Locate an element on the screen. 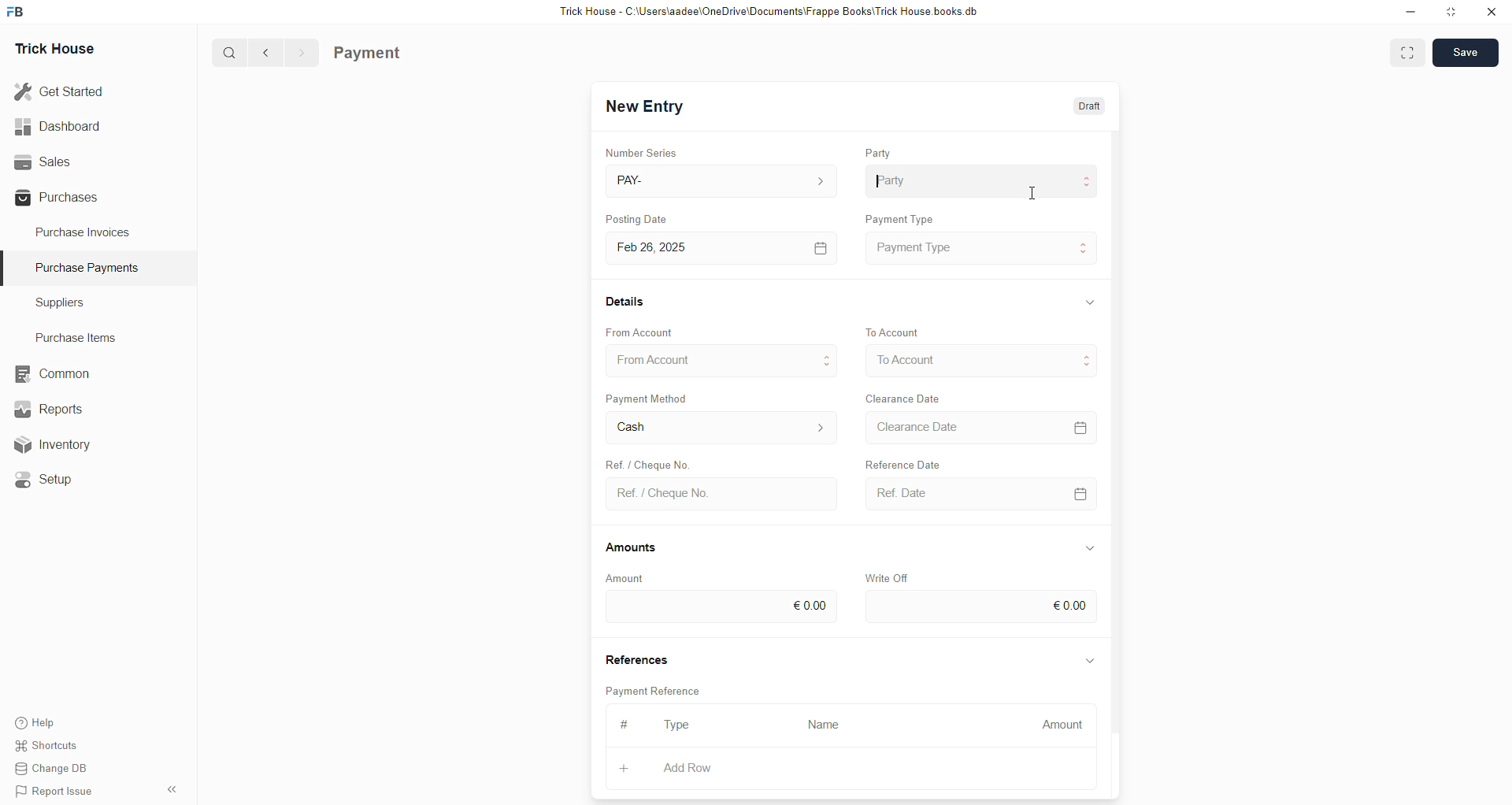 The width and height of the screenshot is (1512, 805). Payment Type is located at coordinates (900, 217).